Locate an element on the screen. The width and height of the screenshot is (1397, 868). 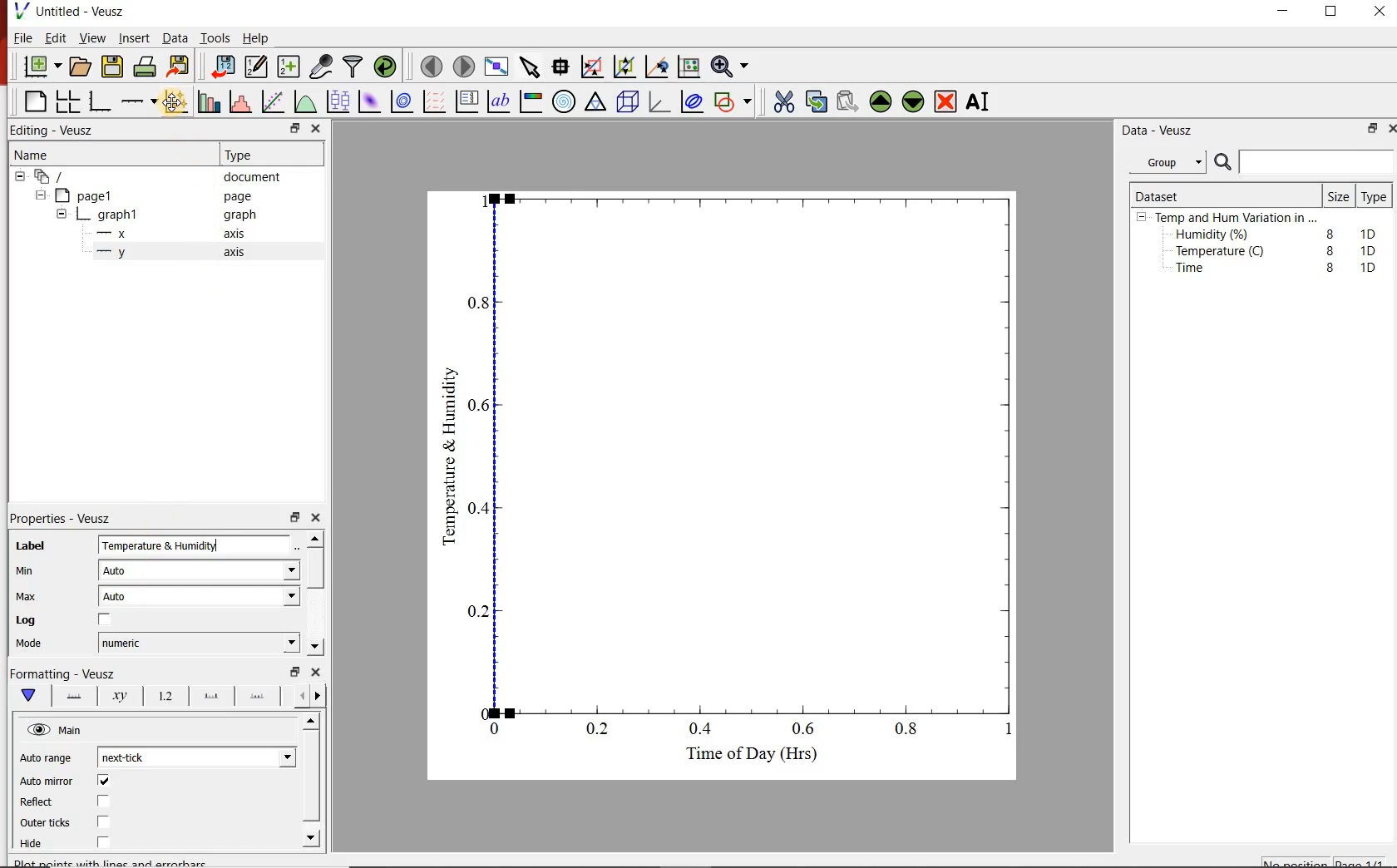
maximize is located at coordinates (1340, 12).